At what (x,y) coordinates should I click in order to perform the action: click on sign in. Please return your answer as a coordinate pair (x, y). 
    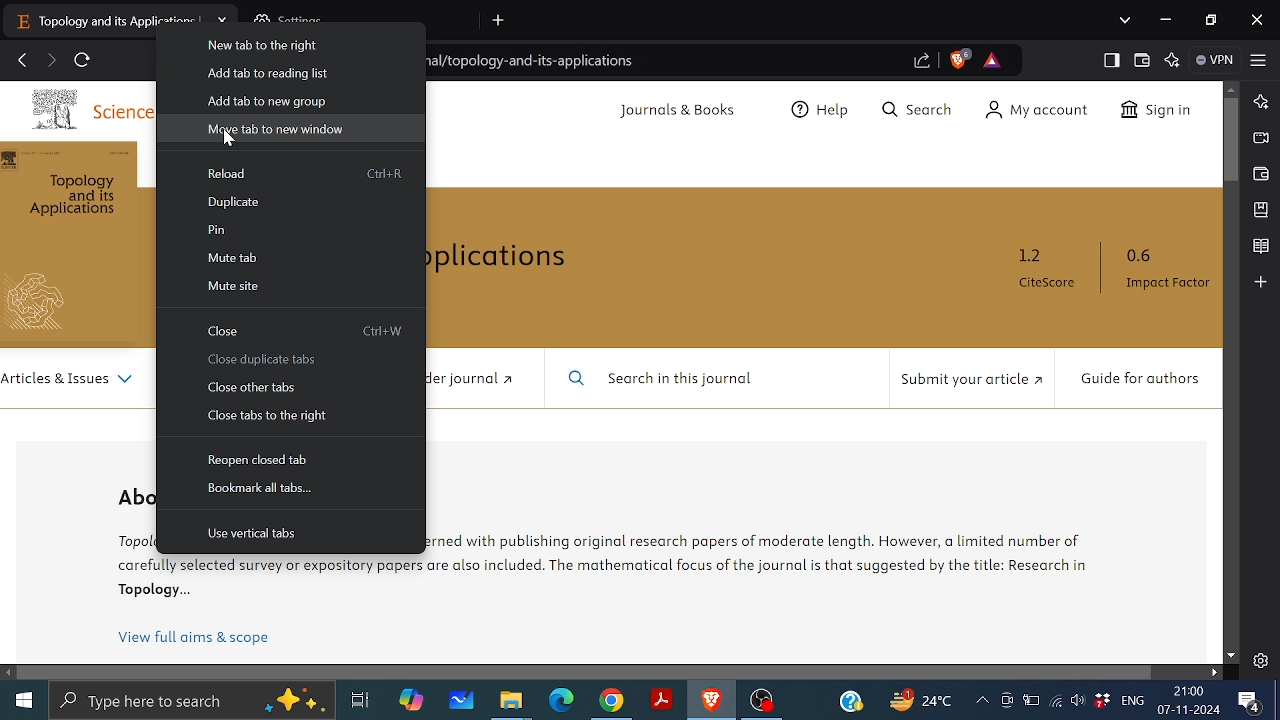
    Looking at the image, I should click on (1152, 108).